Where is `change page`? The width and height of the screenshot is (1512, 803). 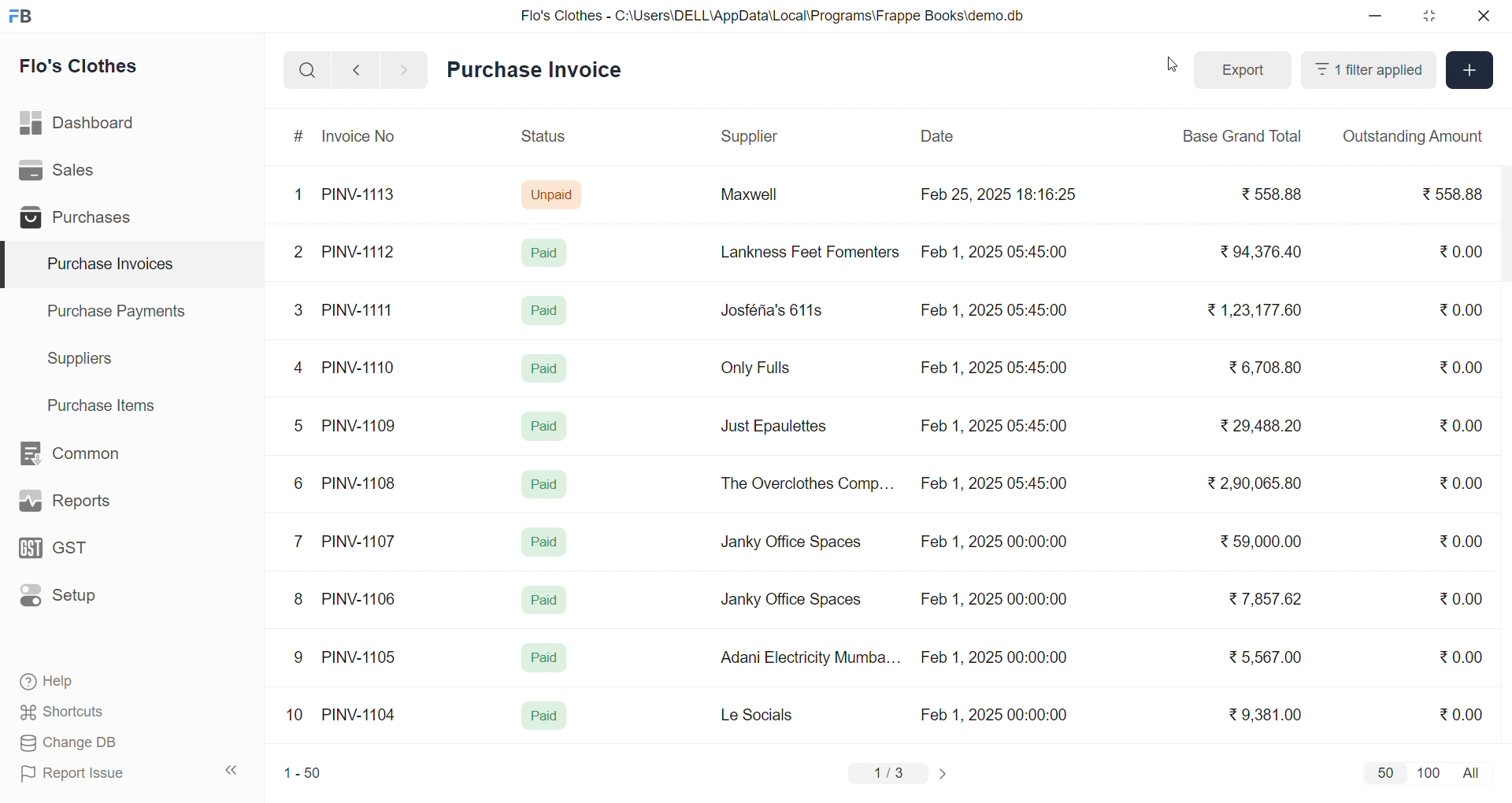
change page is located at coordinates (945, 773).